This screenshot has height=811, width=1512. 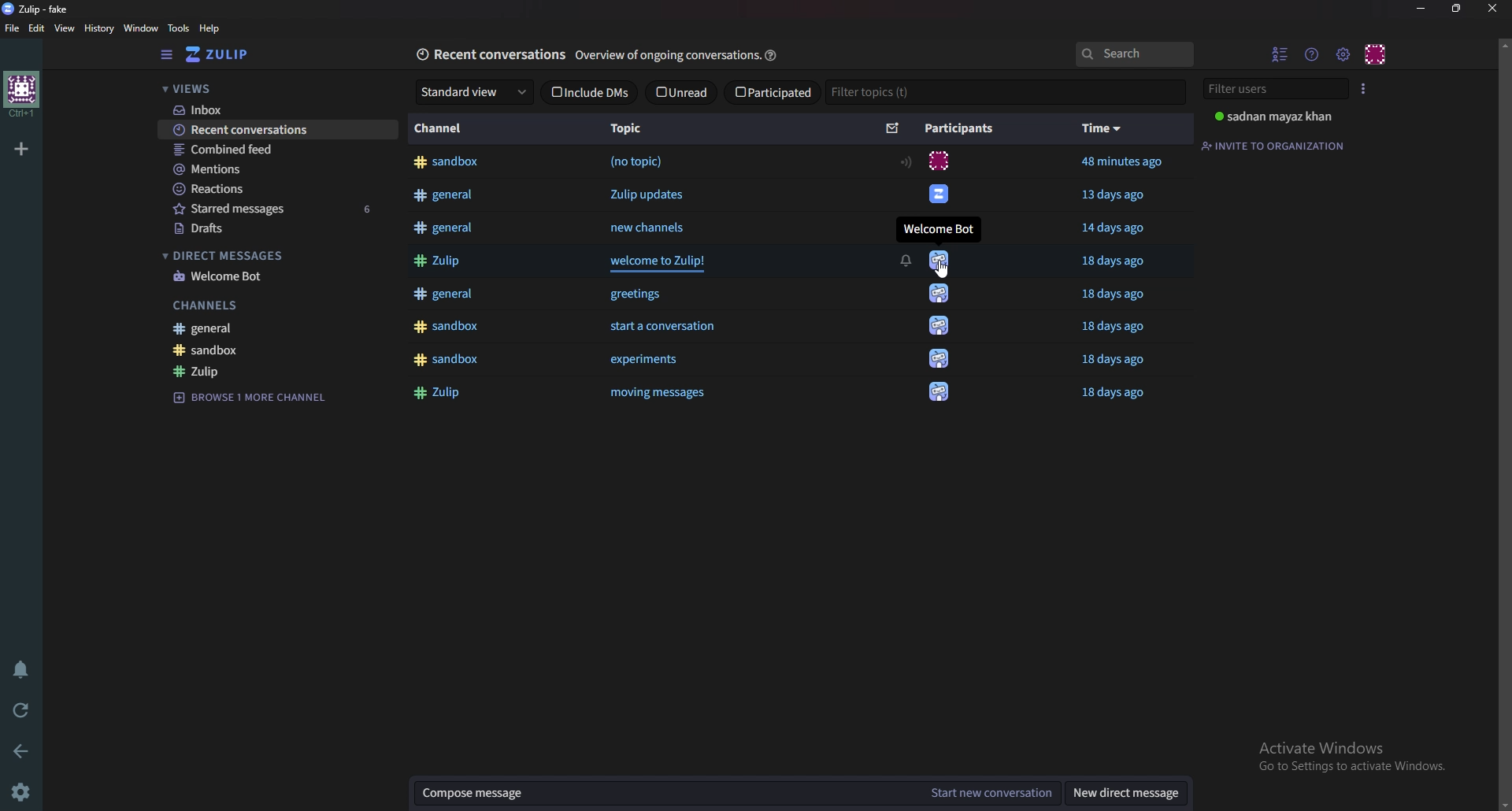 I want to click on scroll bar, so click(x=1501, y=421).